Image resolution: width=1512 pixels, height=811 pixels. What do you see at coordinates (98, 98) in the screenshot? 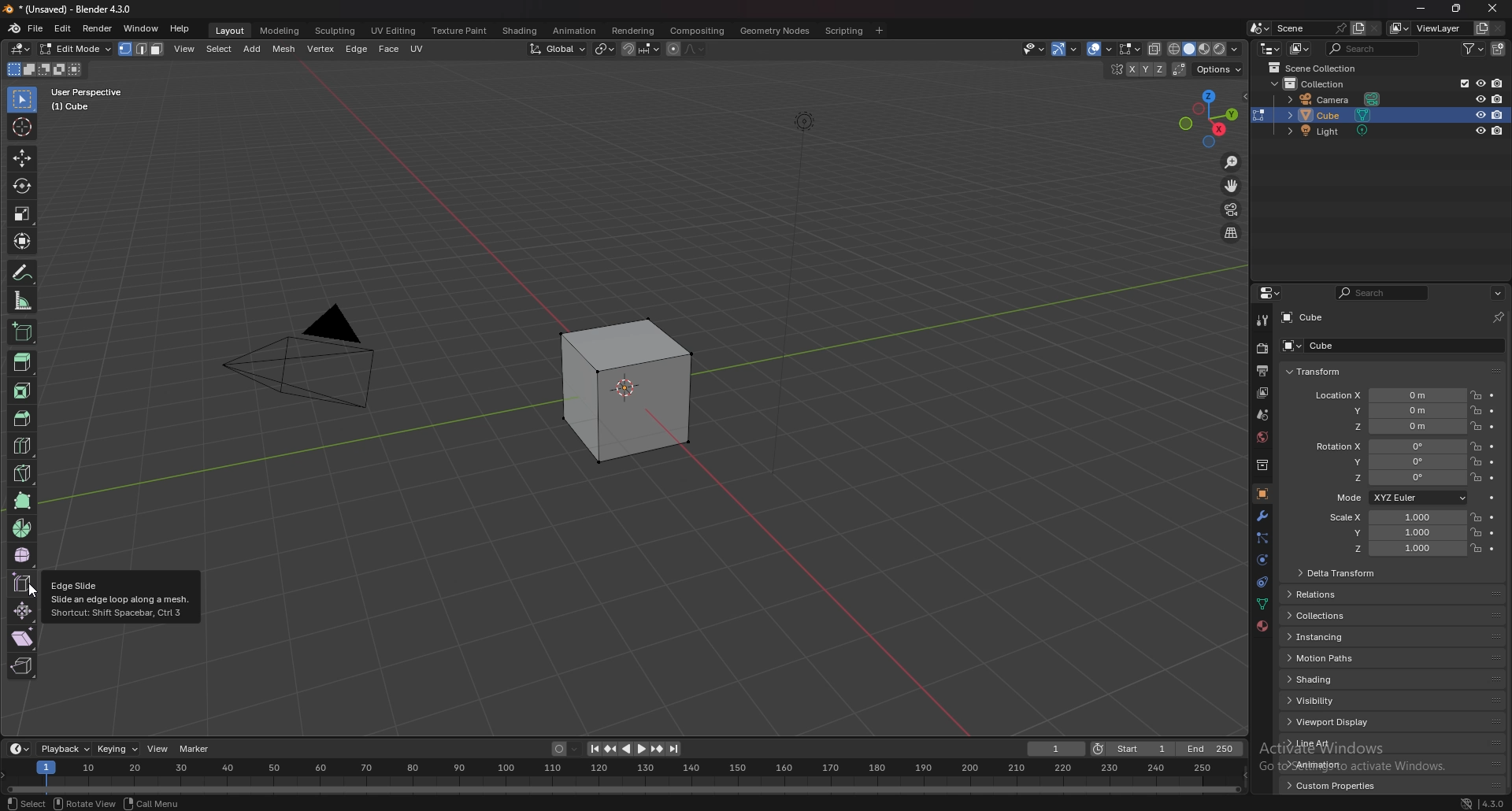
I see `user perspective` at bounding box center [98, 98].